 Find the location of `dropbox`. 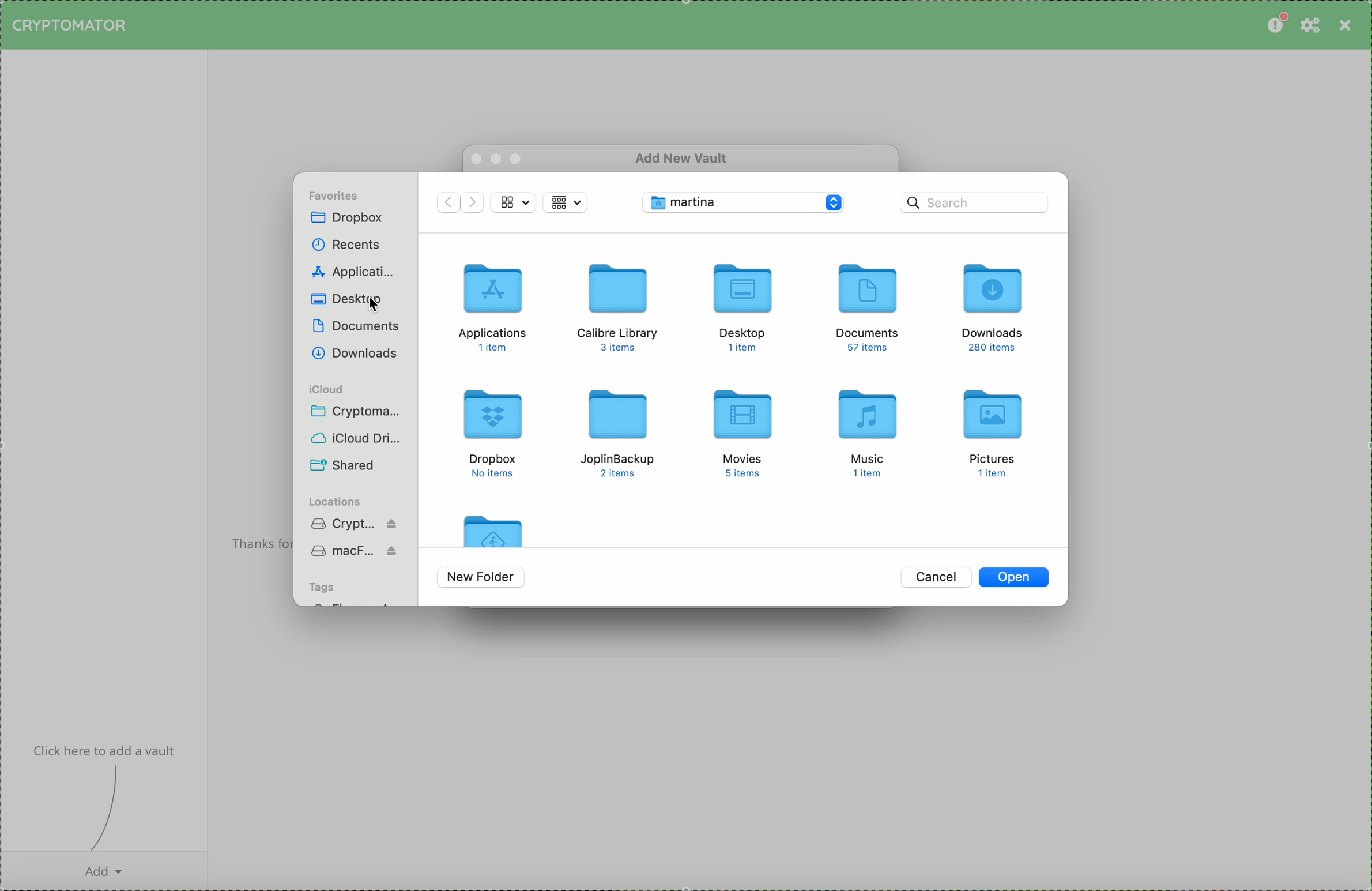

dropbox is located at coordinates (345, 219).